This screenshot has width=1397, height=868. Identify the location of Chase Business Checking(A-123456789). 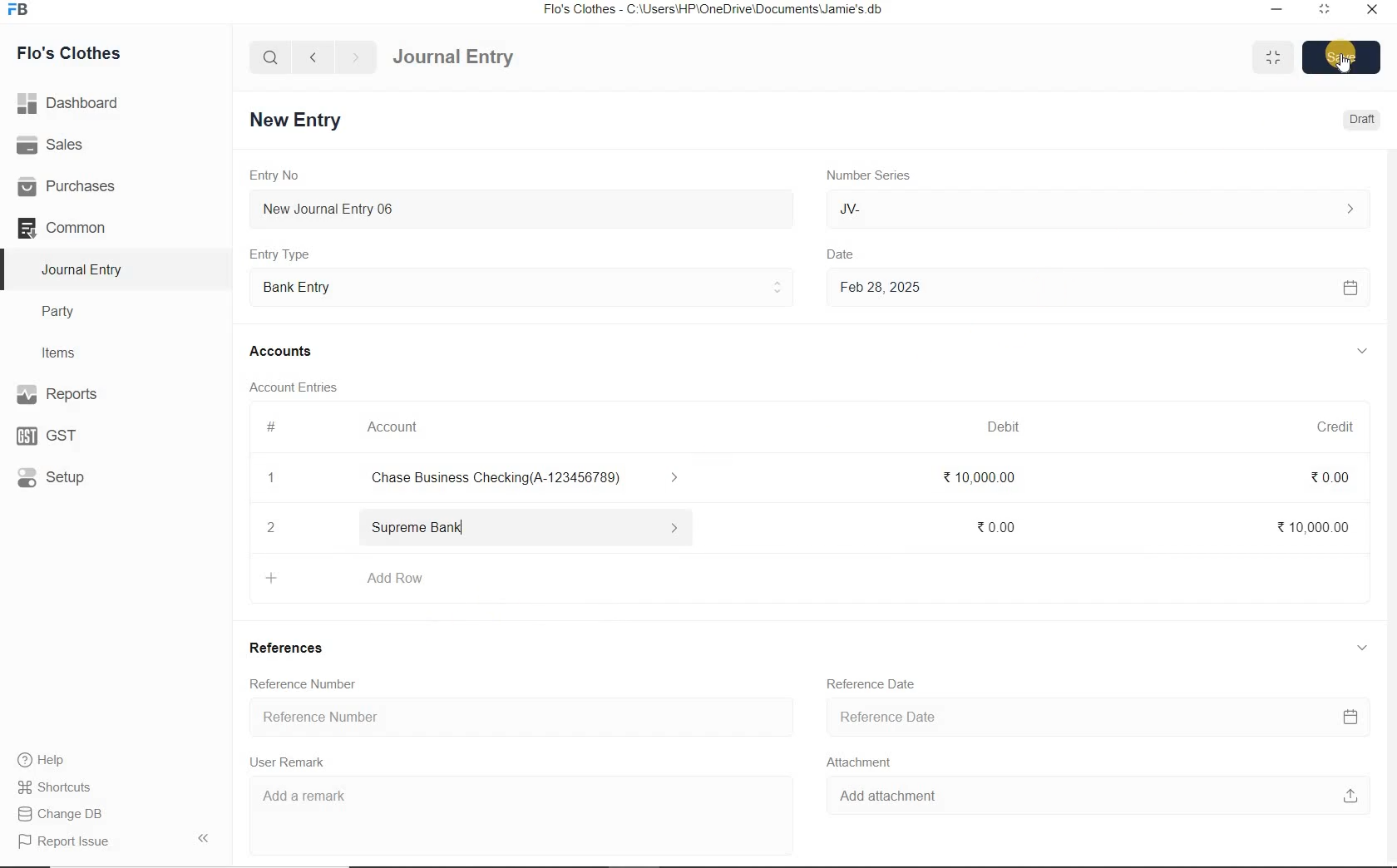
(534, 479).